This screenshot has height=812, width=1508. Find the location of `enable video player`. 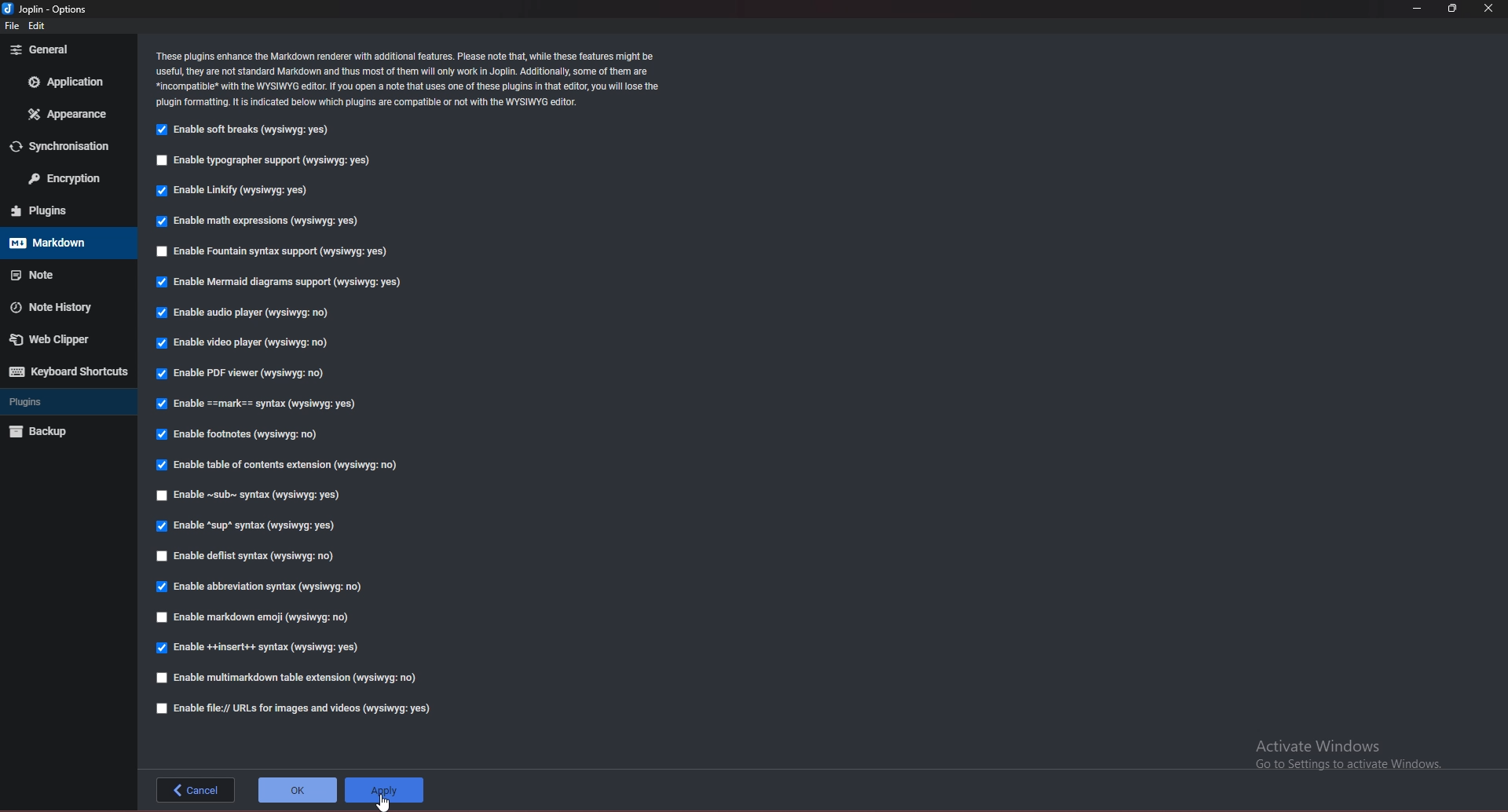

enable video player is located at coordinates (247, 344).